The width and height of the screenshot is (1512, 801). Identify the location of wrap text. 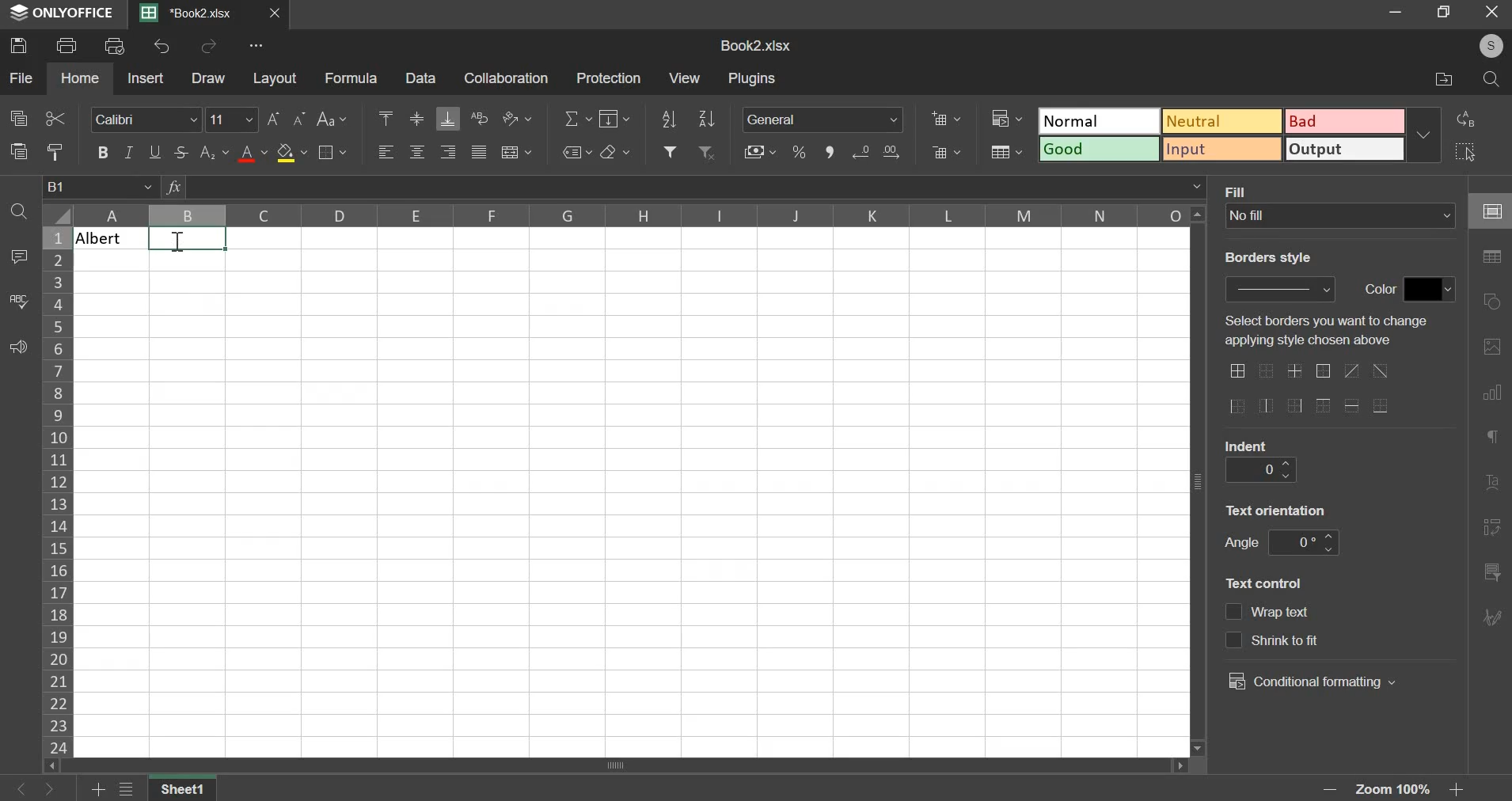
(1269, 613).